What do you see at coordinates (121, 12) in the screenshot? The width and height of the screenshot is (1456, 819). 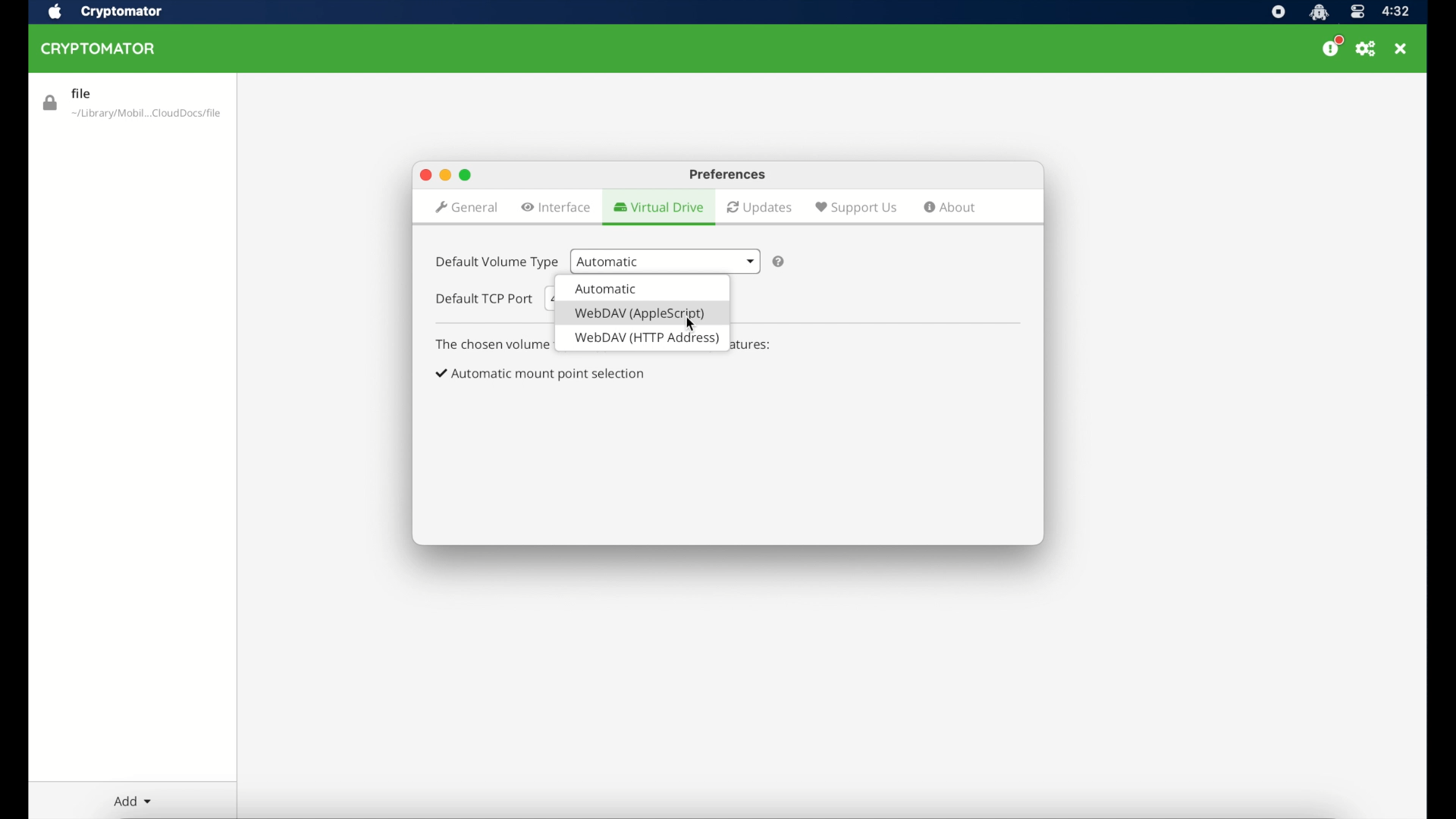 I see `cryptomator` at bounding box center [121, 12].